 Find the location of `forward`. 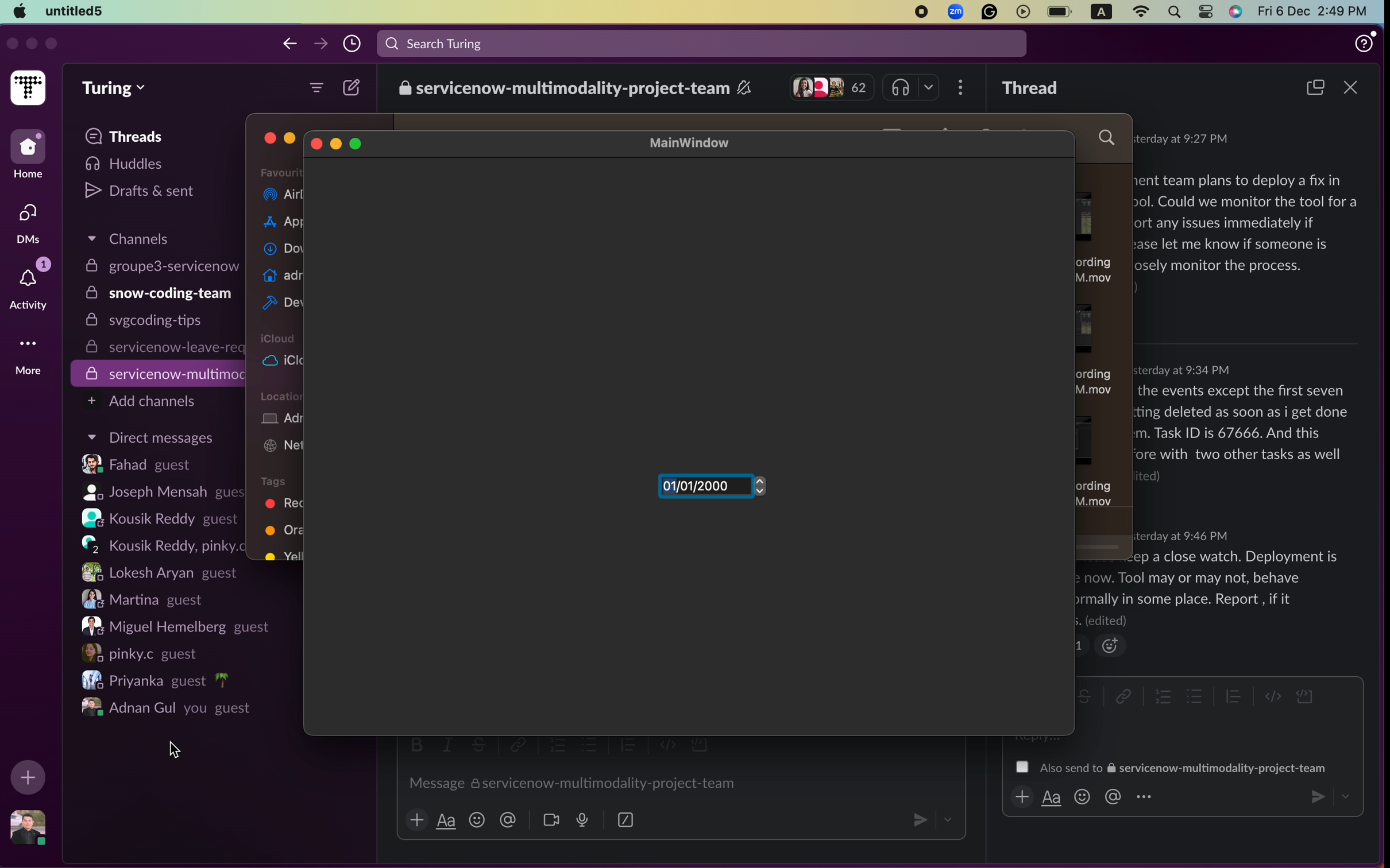

forward is located at coordinates (323, 44).